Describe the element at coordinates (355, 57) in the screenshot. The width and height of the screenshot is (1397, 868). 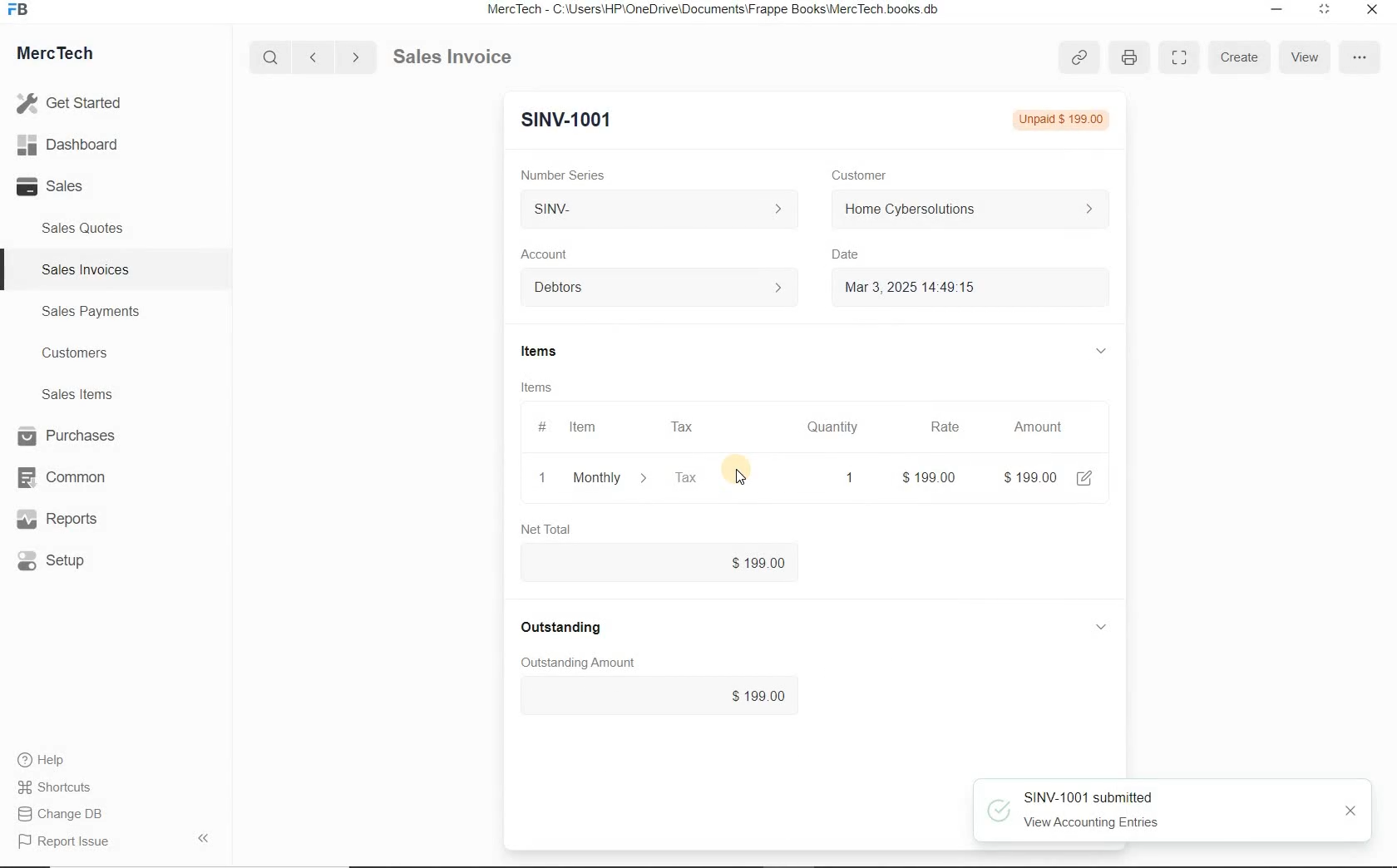
I see `Go forward` at that location.